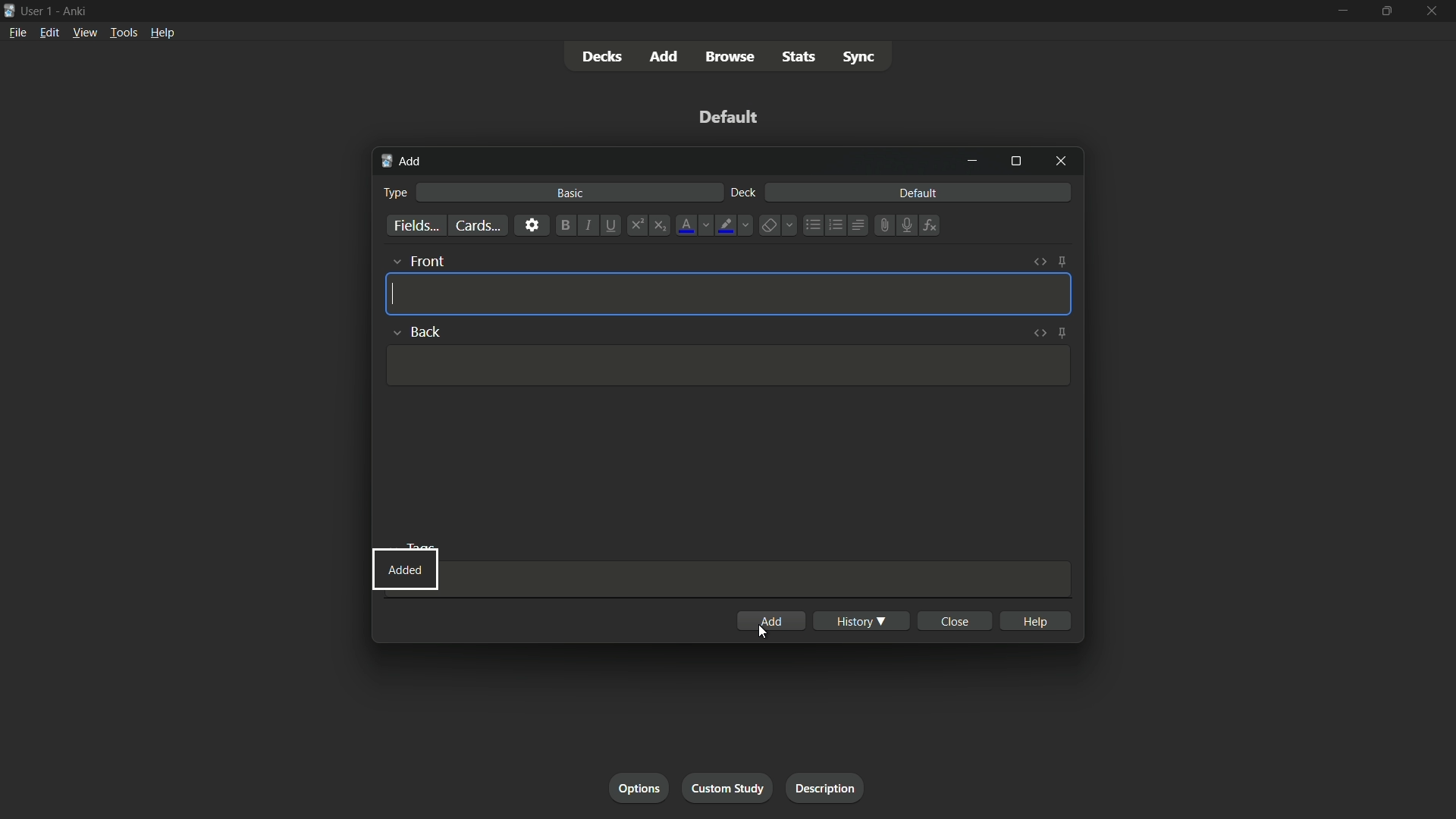  Describe the element at coordinates (401, 162) in the screenshot. I see `add` at that location.